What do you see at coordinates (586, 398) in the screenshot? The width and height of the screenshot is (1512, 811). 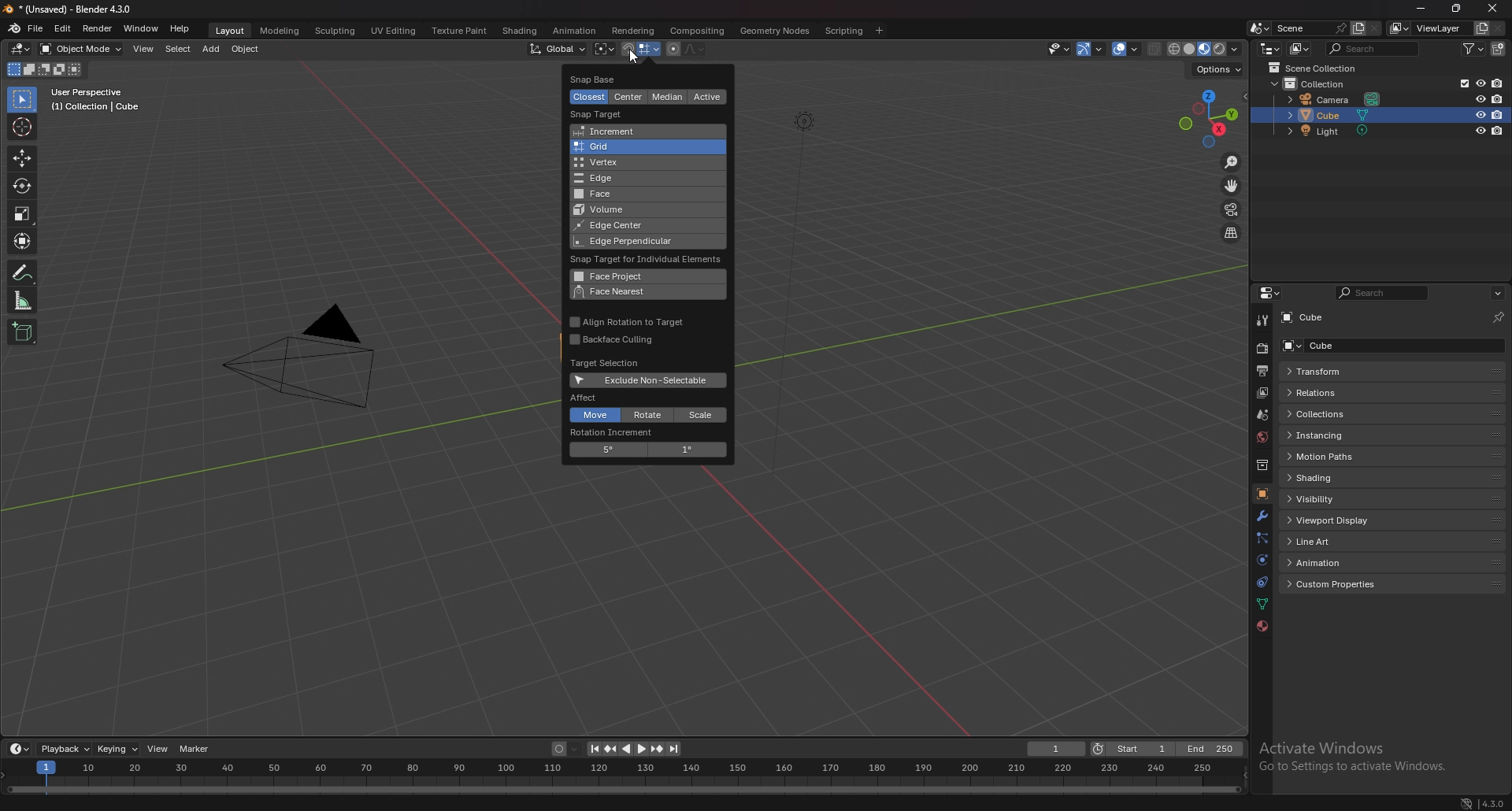 I see `affect` at bounding box center [586, 398].